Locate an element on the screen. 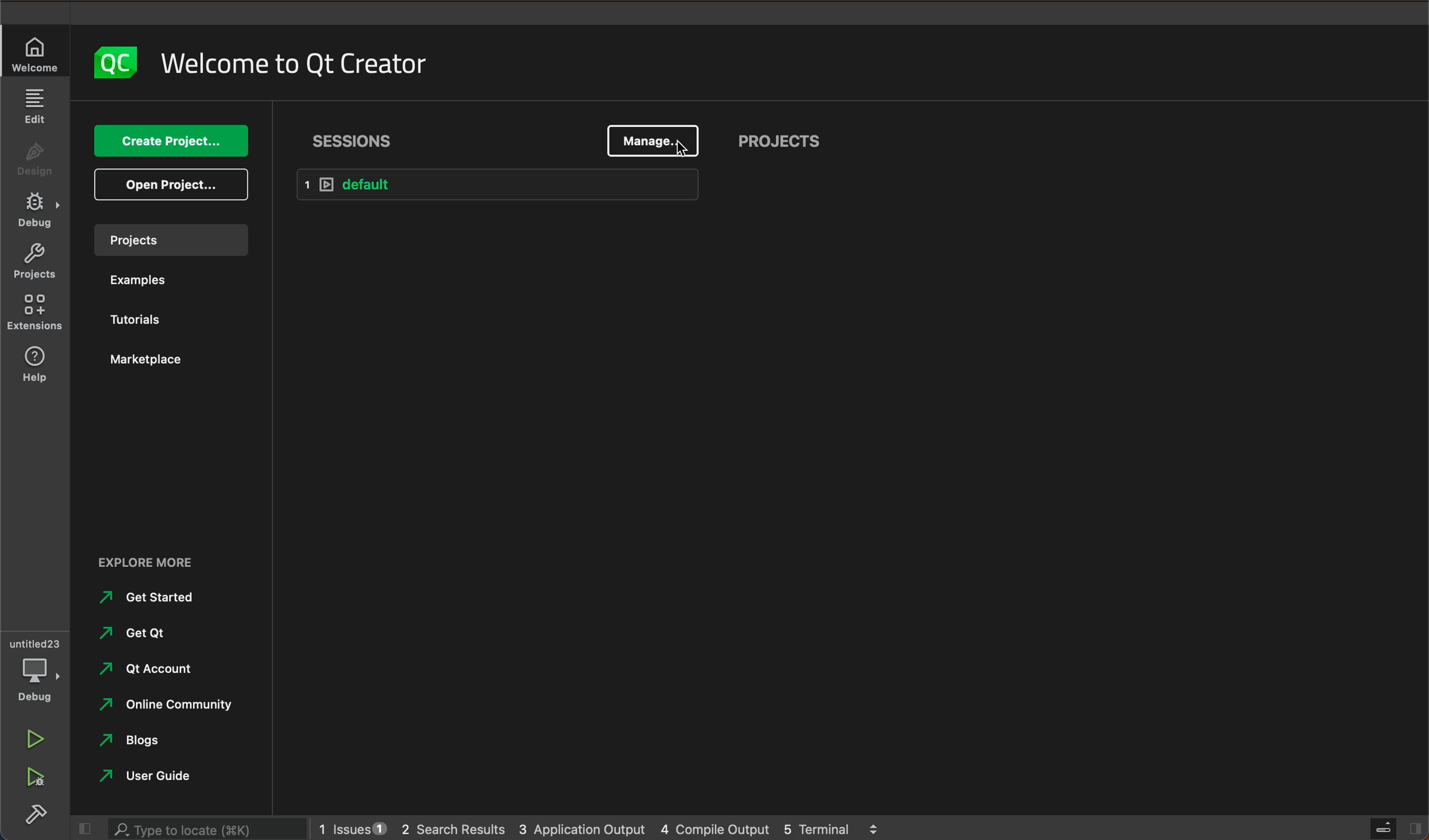  open project is located at coordinates (175, 185).